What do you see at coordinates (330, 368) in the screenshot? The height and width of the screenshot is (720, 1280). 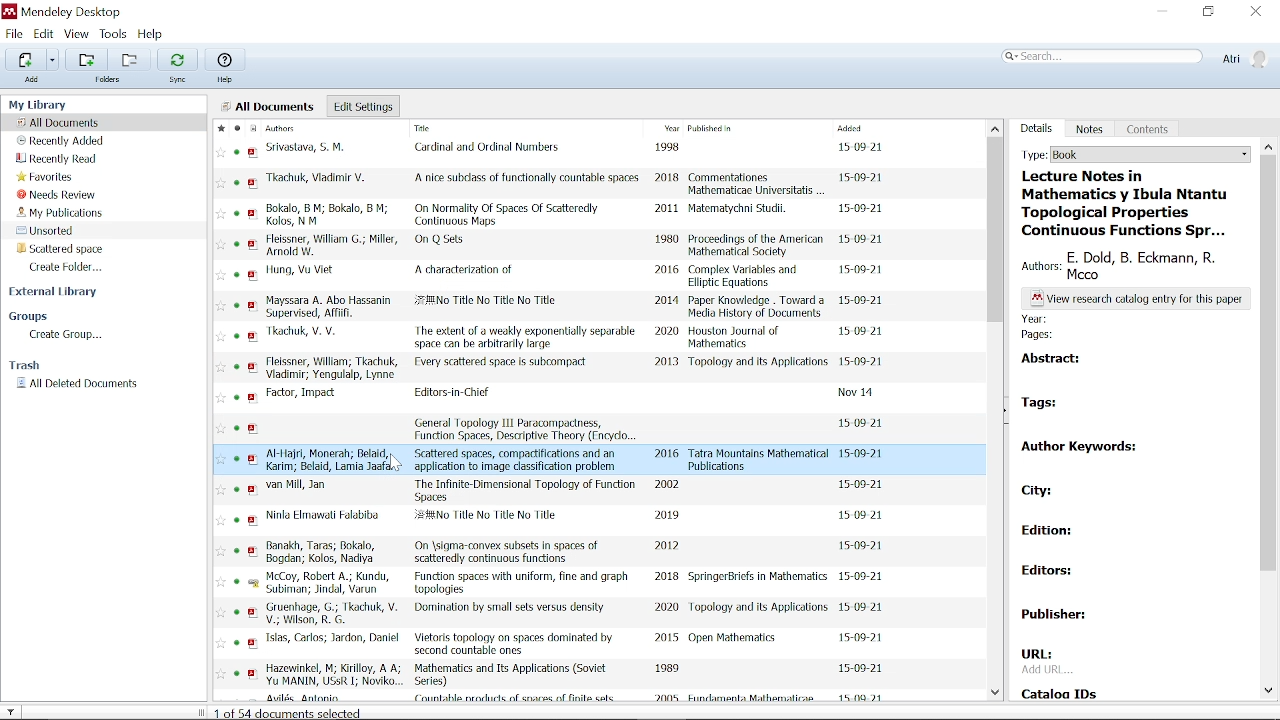 I see `authors` at bounding box center [330, 368].